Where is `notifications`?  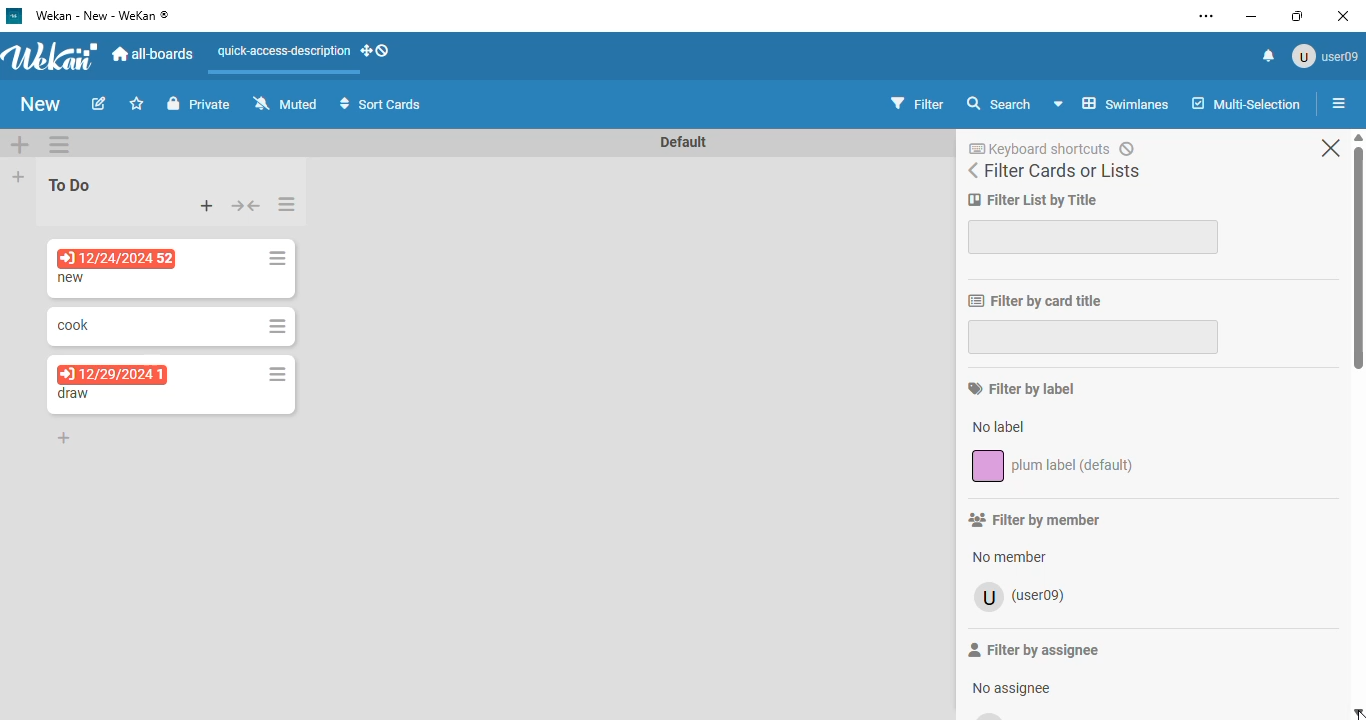
notifications is located at coordinates (1269, 56).